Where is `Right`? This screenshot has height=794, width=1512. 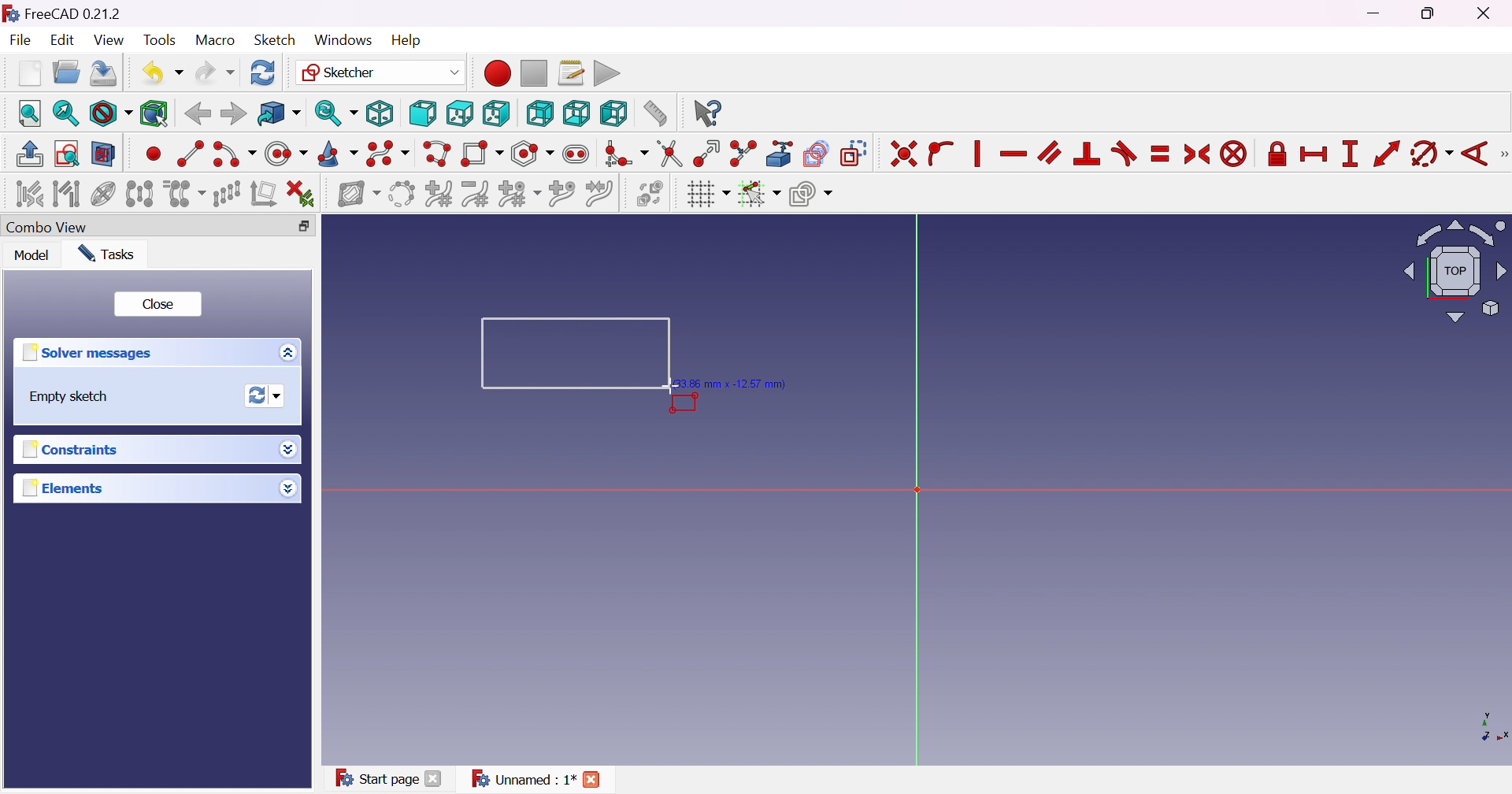 Right is located at coordinates (495, 113).